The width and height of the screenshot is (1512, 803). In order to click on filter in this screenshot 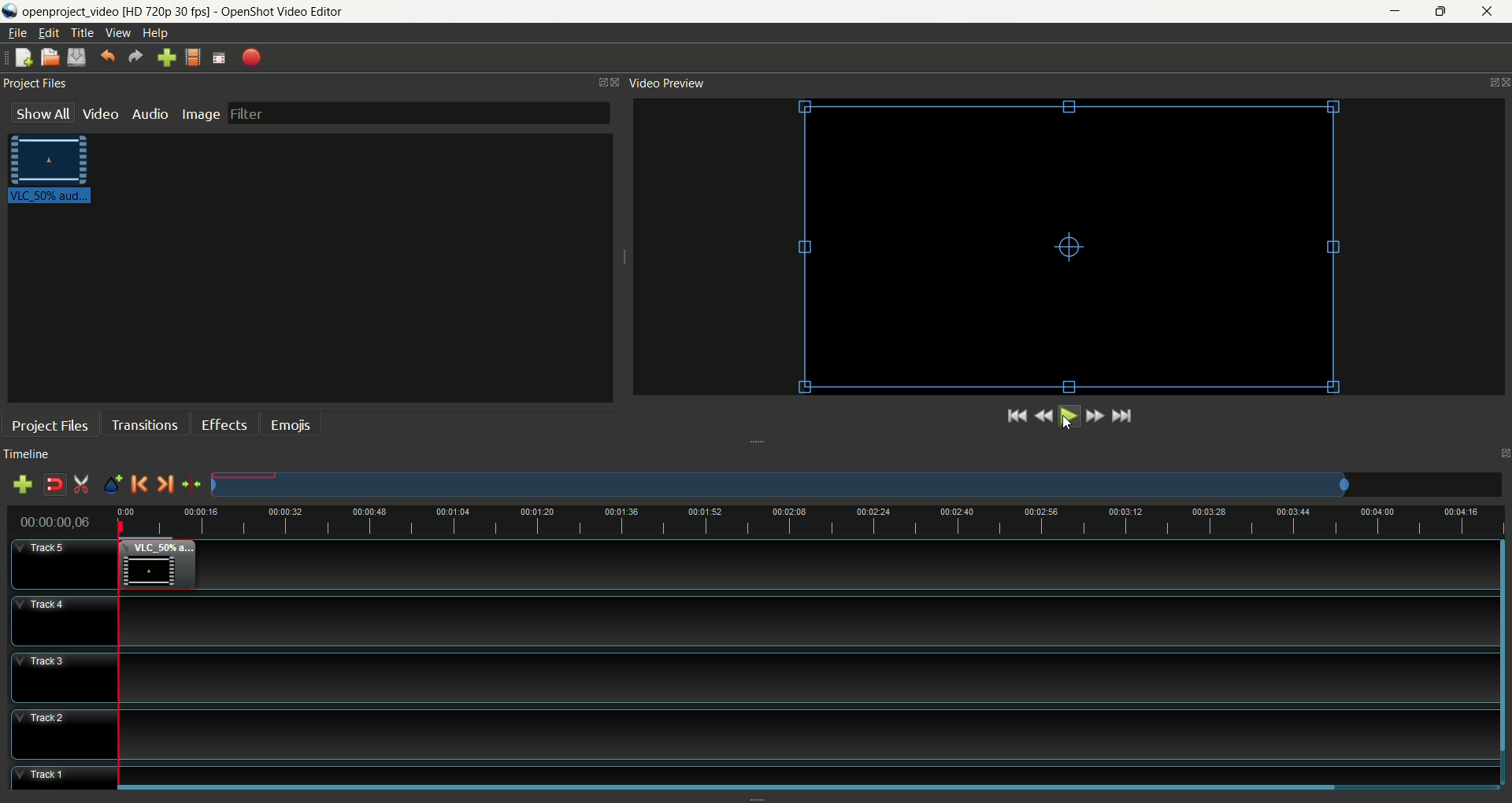, I will do `click(418, 113)`.